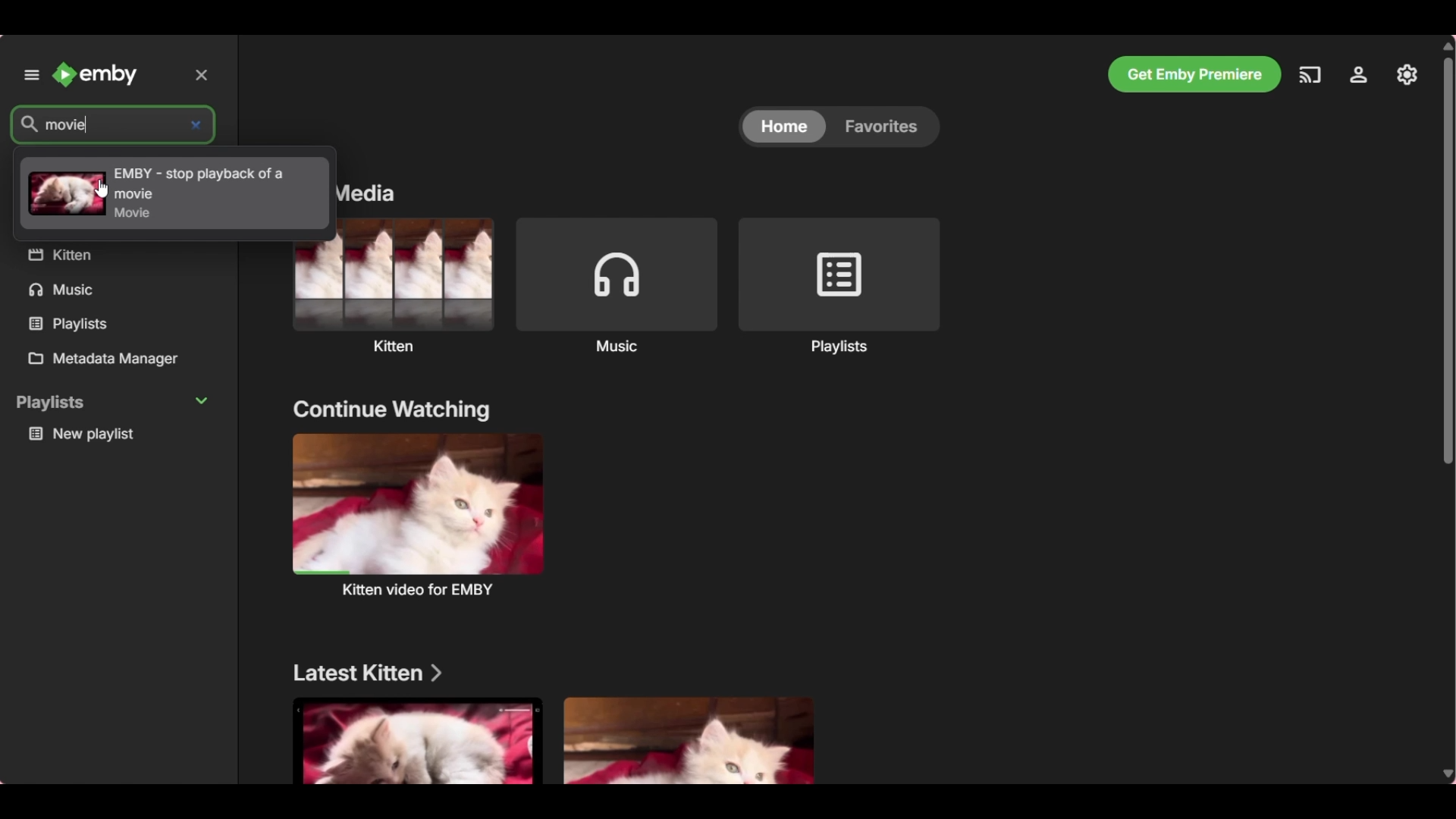 The width and height of the screenshot is (1456, 819). Describe the element at coordinates (393, 409) in the screenshot. I see `continue watching` at that location.